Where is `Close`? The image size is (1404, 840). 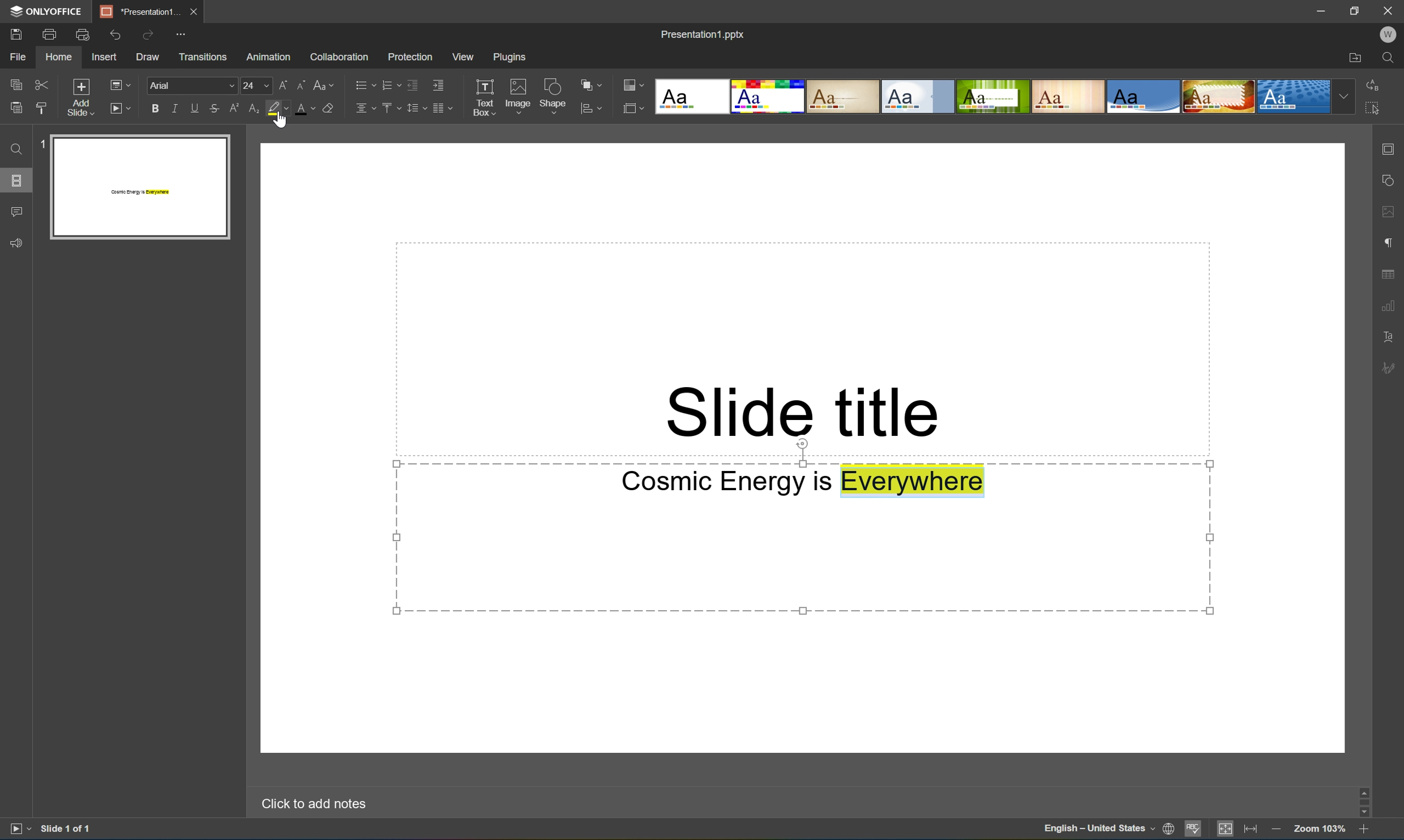
Close is located at coordinates (197, 10).